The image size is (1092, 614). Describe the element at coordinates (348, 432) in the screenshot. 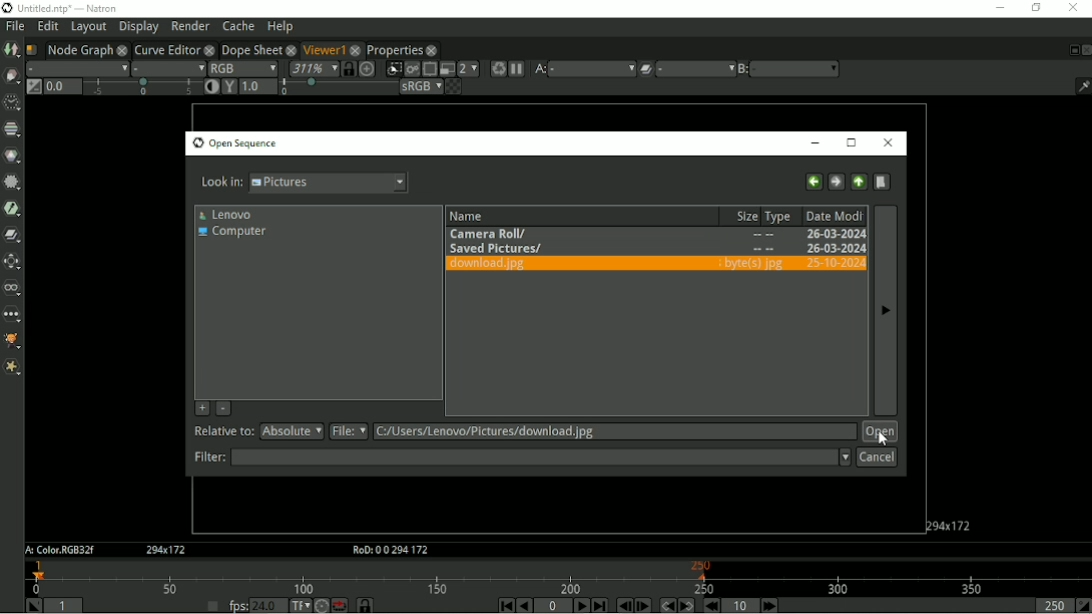

I see `file:` at that location.